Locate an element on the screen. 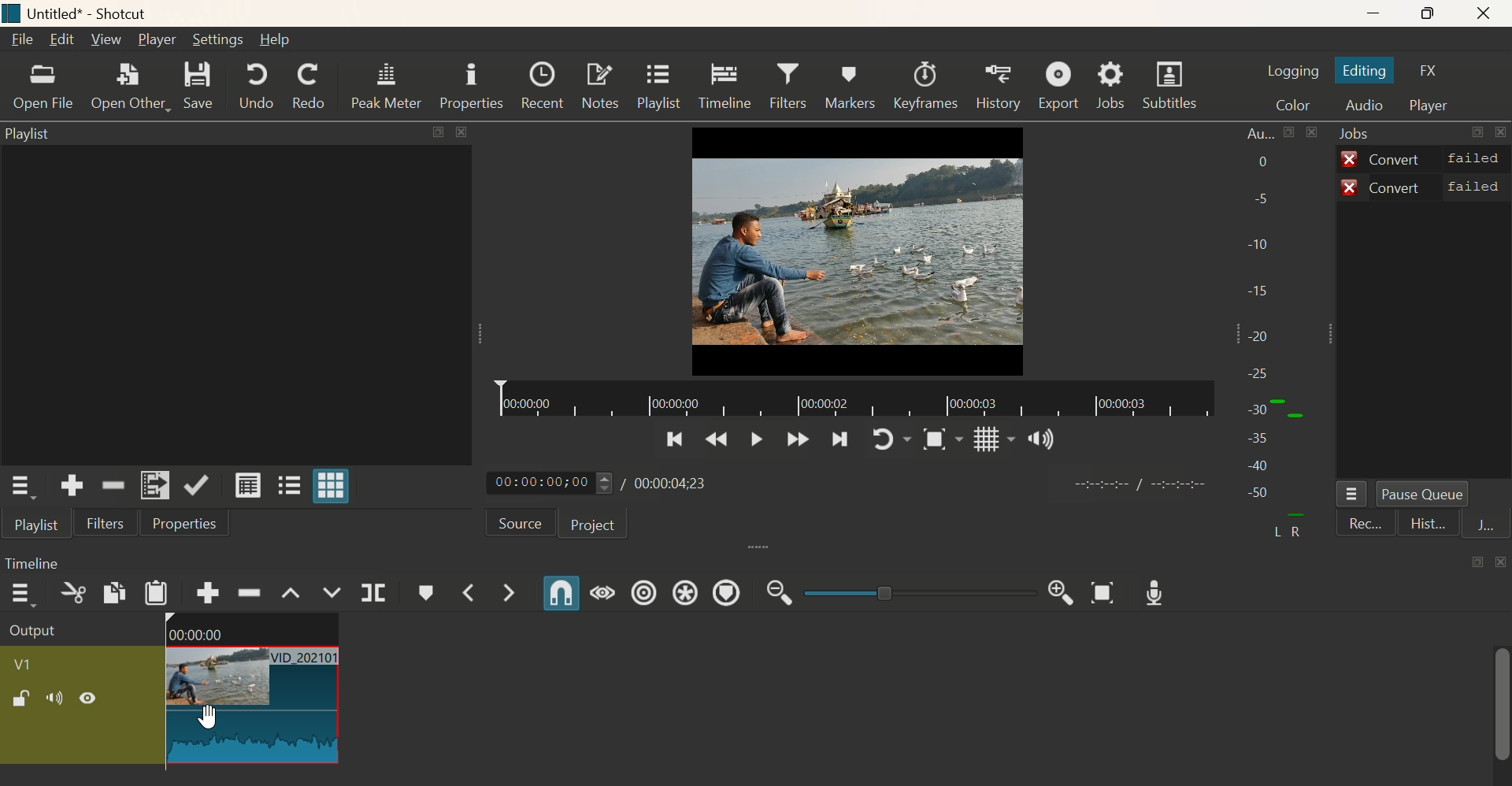 The height and width of the screenshot is (786, 1512).  is located at coordinates (642, 593).